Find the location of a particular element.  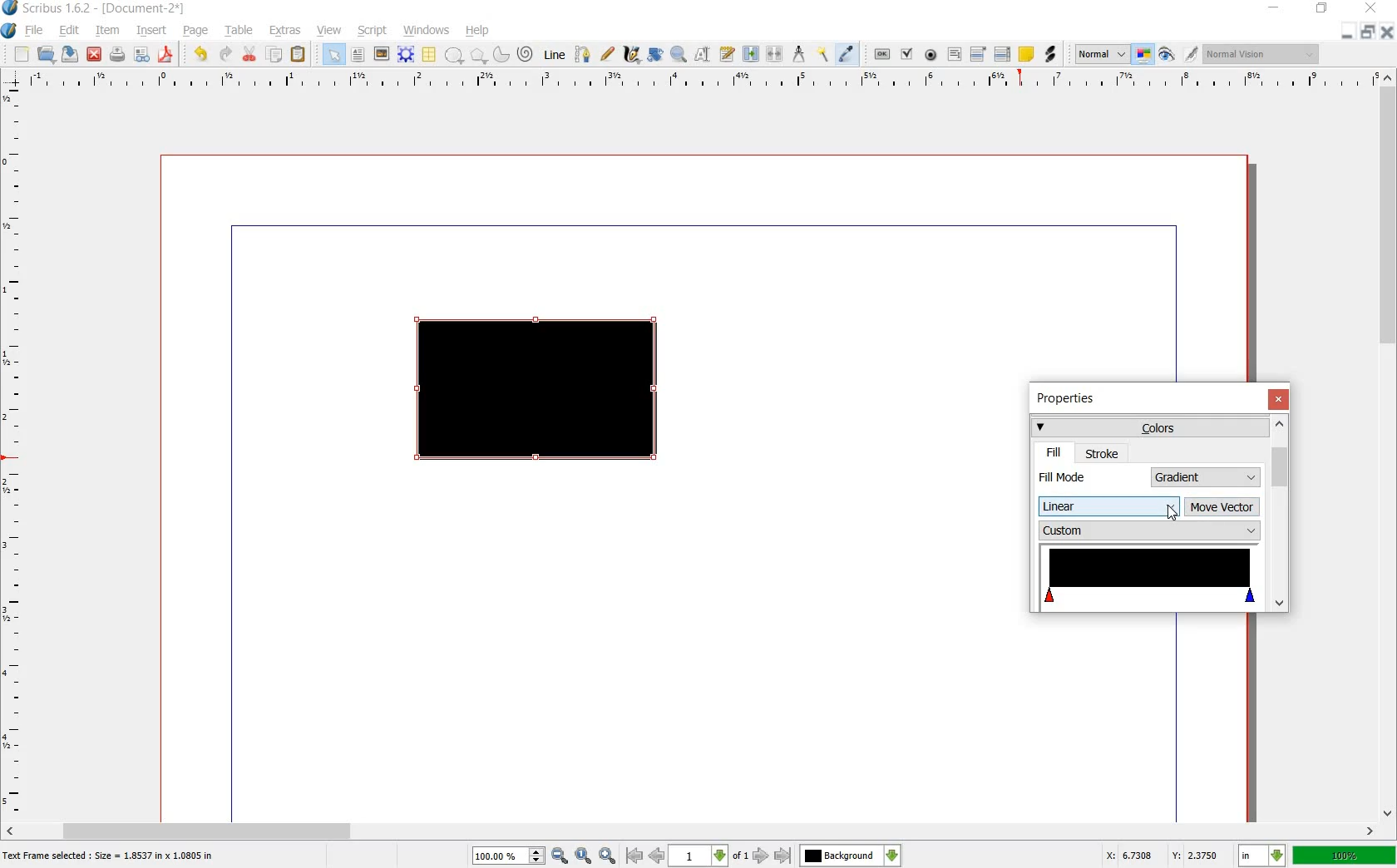

color stop is located at coordinates (1150, 579).